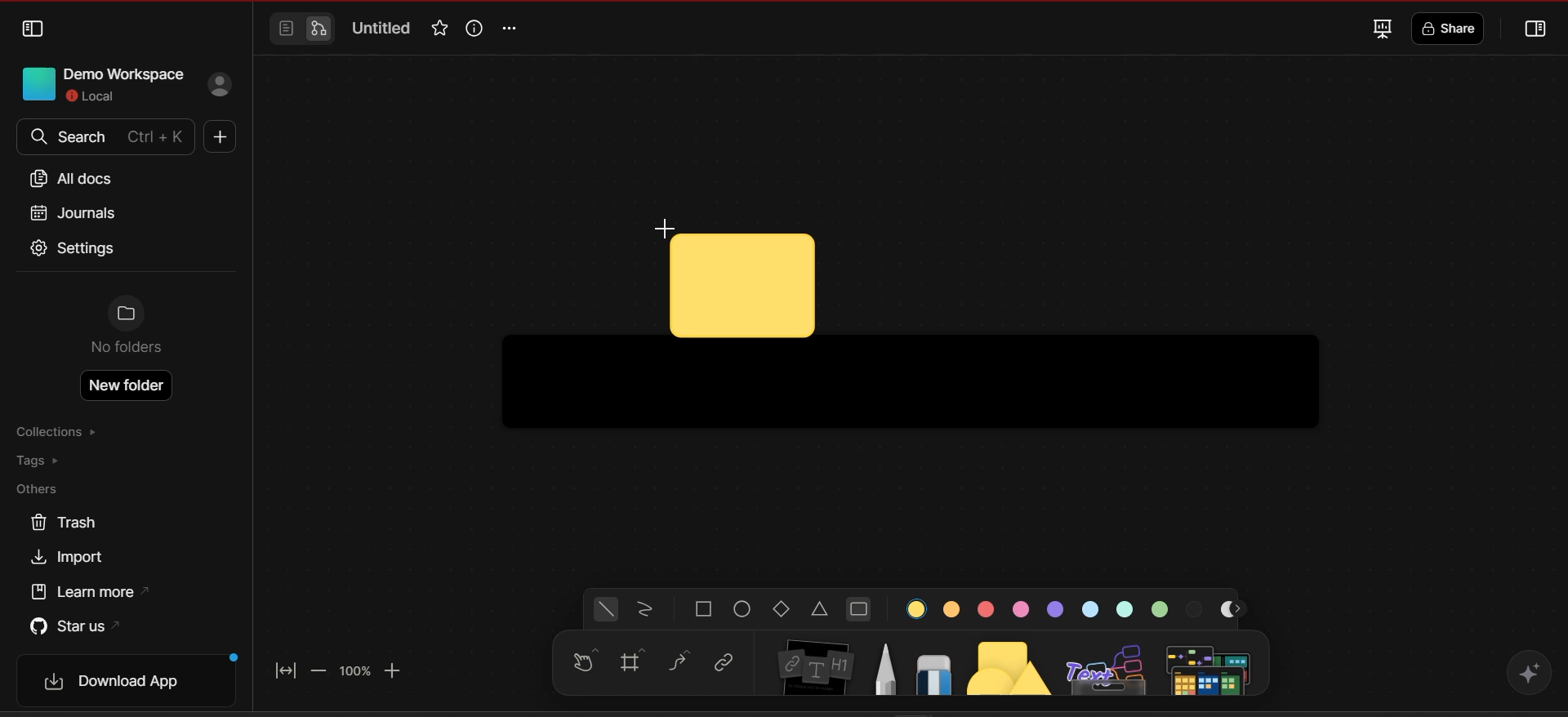 The width and height of the screenshot is (1568, 717). What do you see at coordinates (822, 611) in the screenshot?
I see `triangle` at bounding box center [822, 611].